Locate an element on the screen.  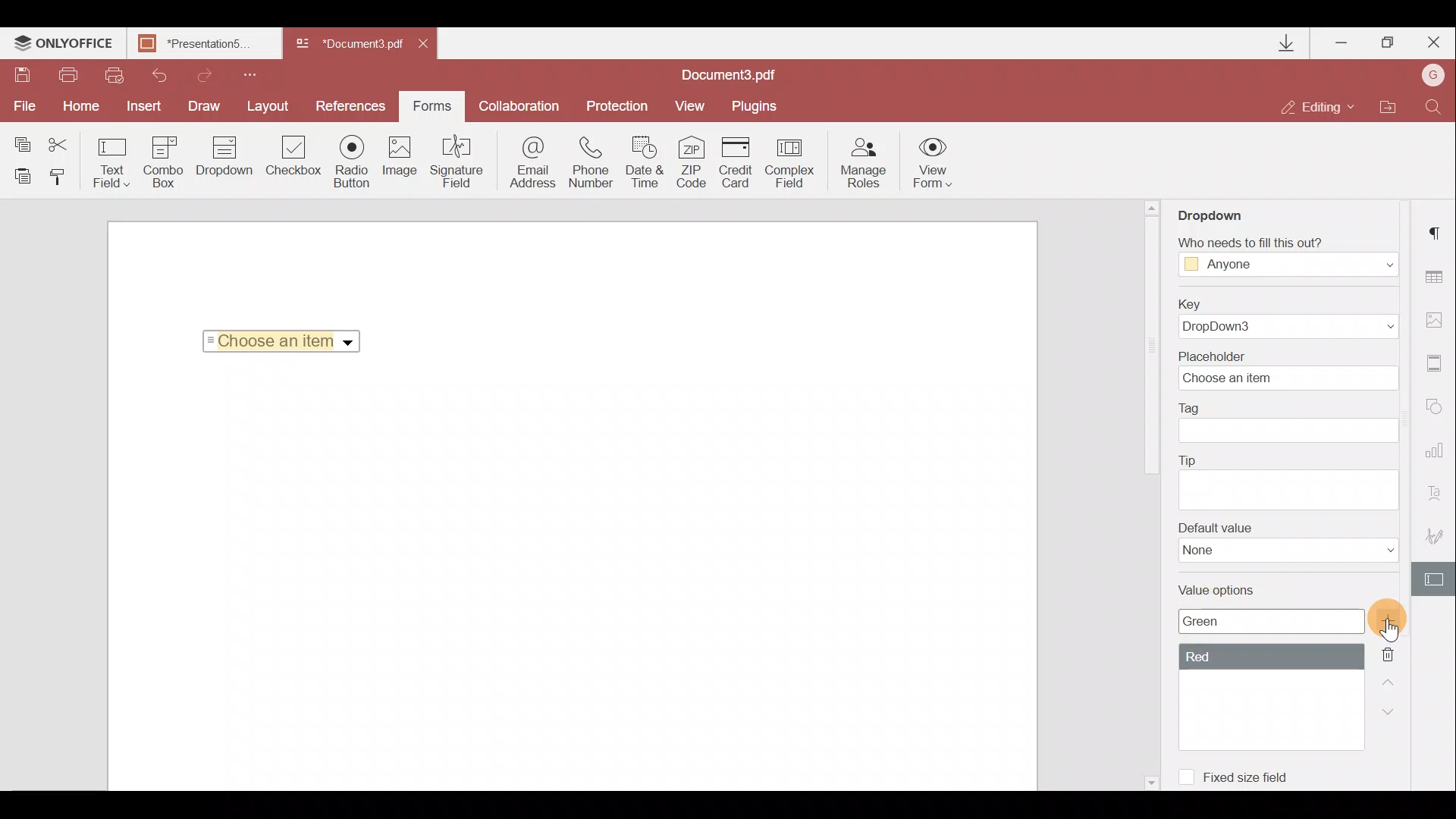
Protection is located at coordinates (613, 108).